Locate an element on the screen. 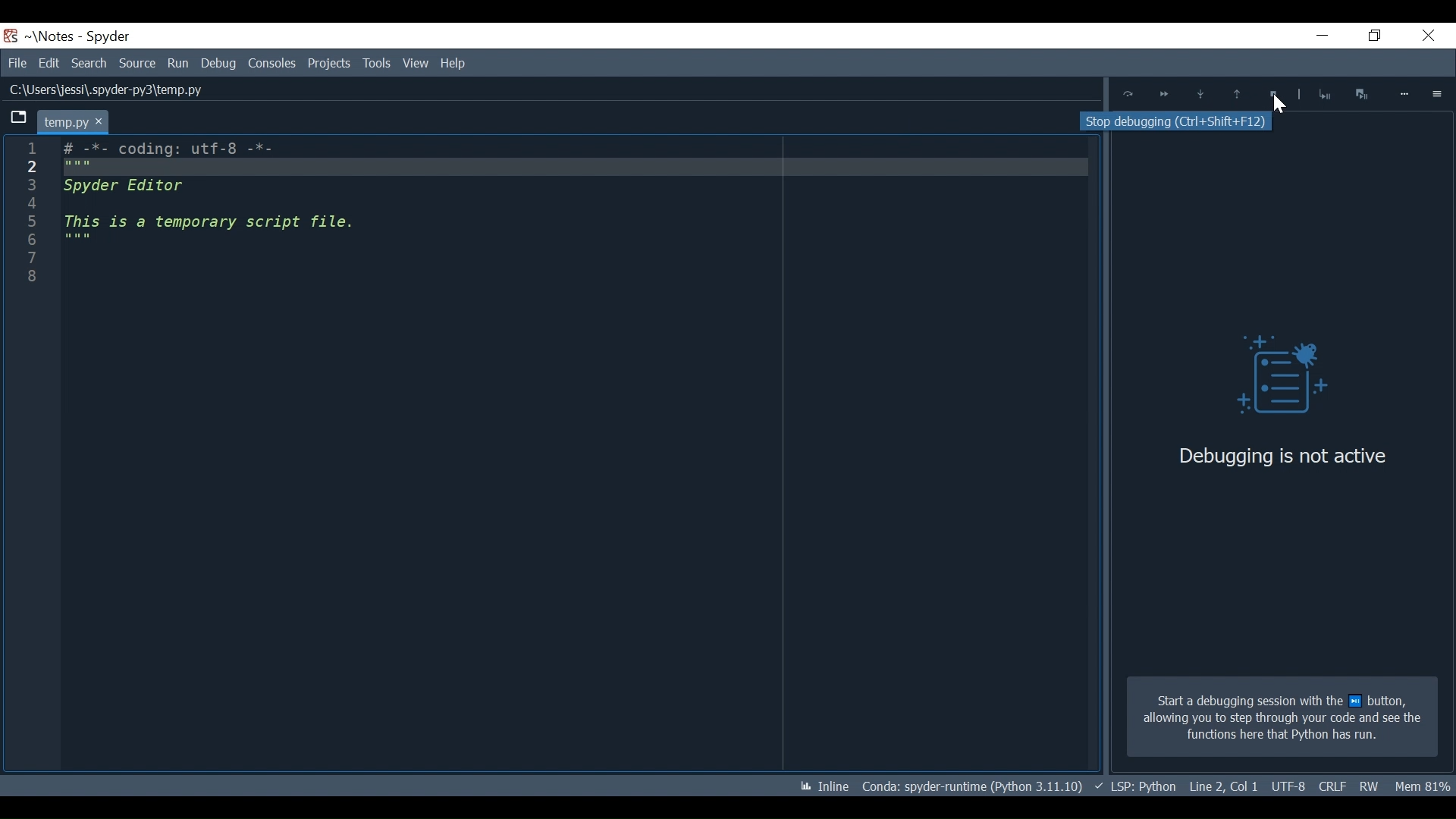 This screenshot has width=1456, height=819. Step into function or method is located at coordinates (1200, 96).